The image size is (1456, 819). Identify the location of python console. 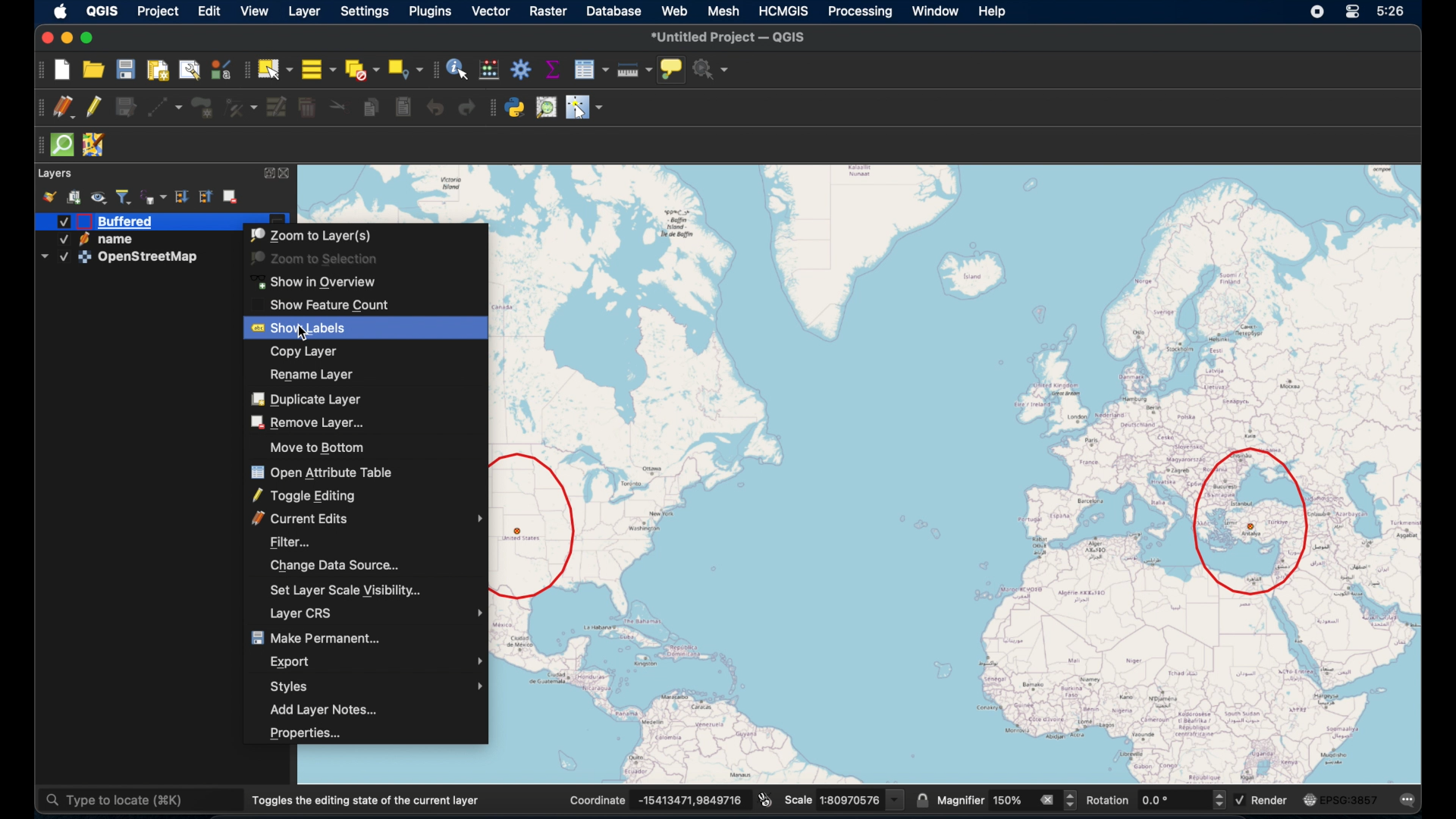
(516, 107).